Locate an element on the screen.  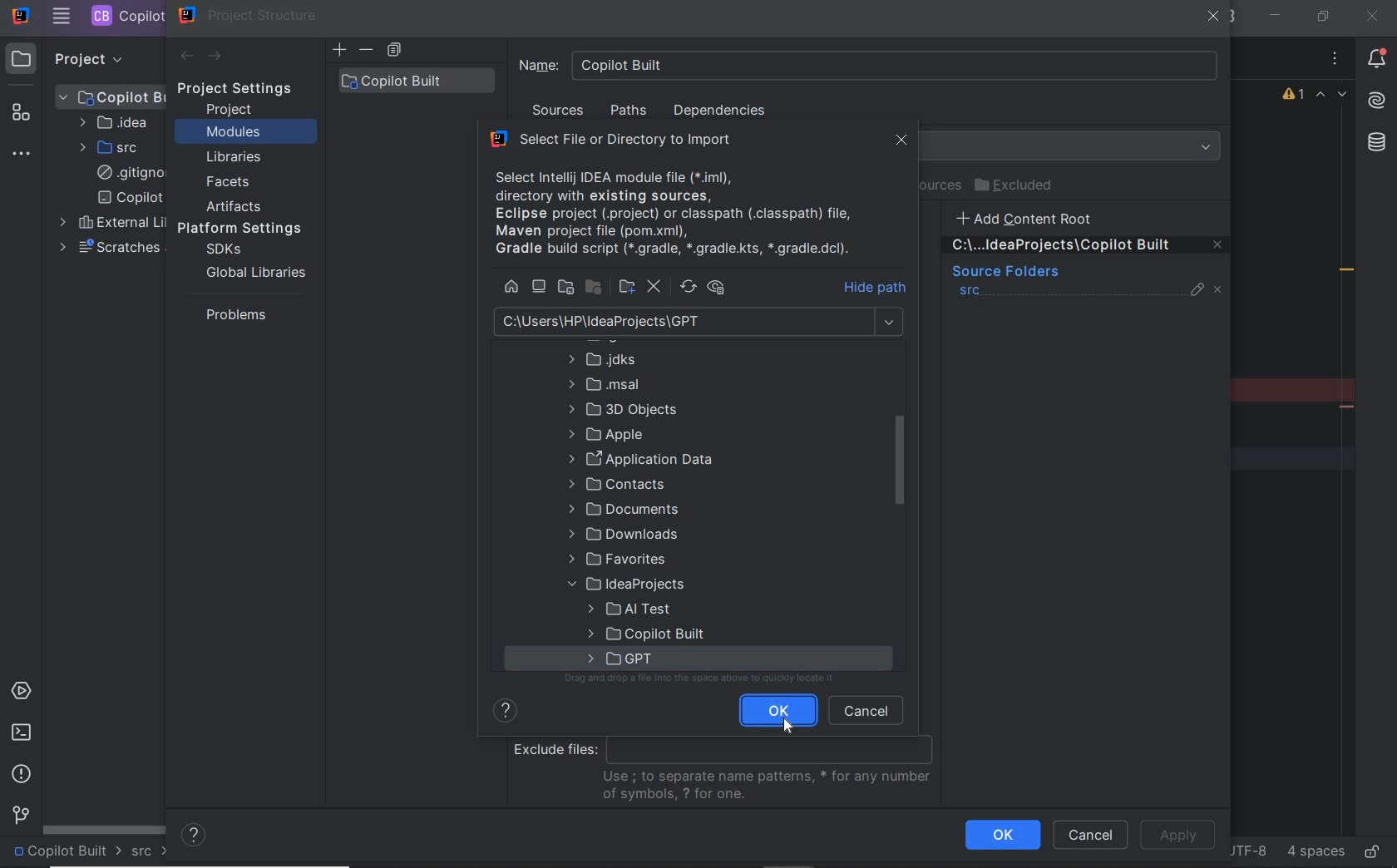
add is located at coordinates (339, 50).